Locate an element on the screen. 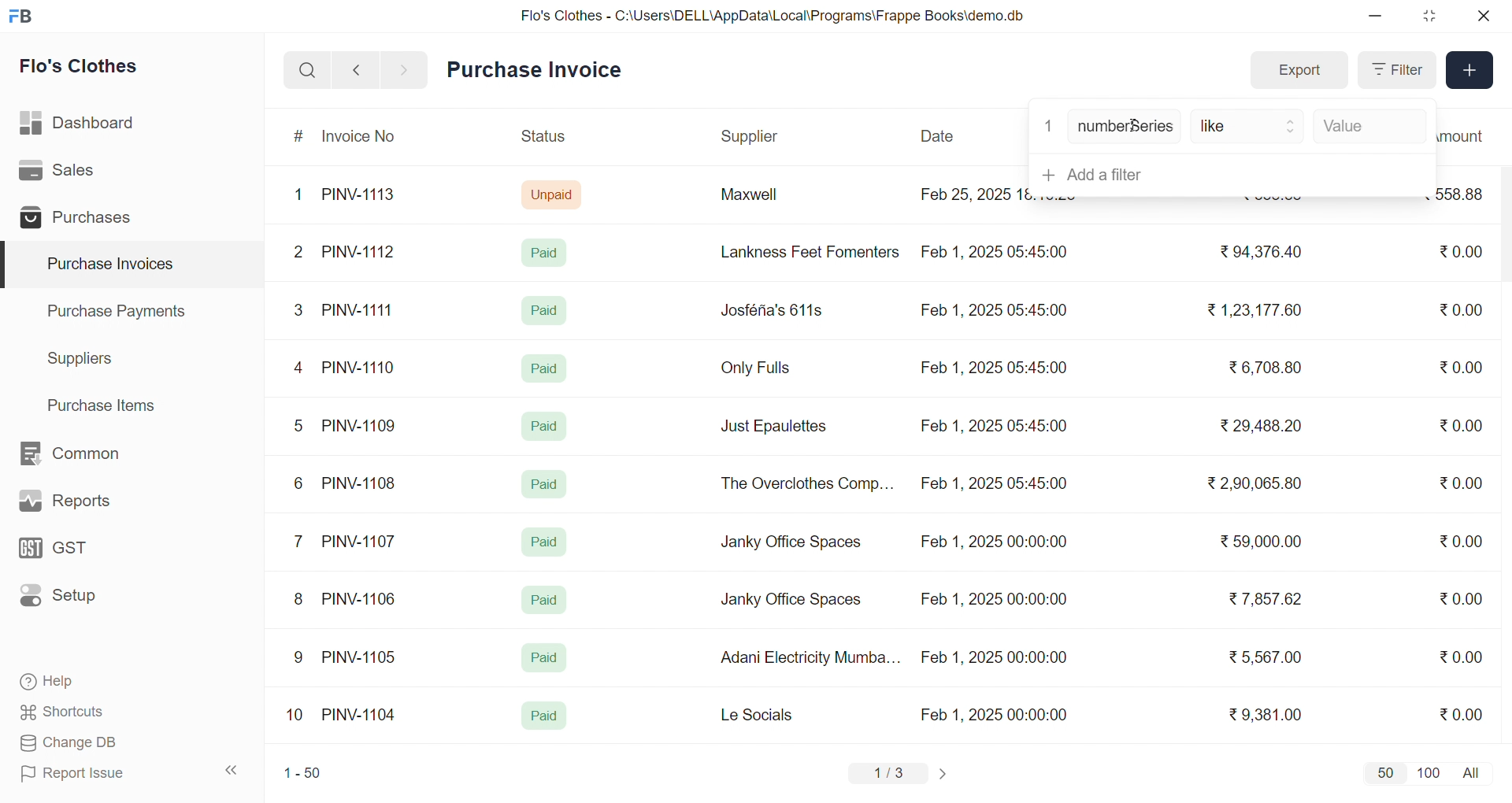 The height and width of the screenshot is (803, 1512). Common is located at coordinates (87, 454).